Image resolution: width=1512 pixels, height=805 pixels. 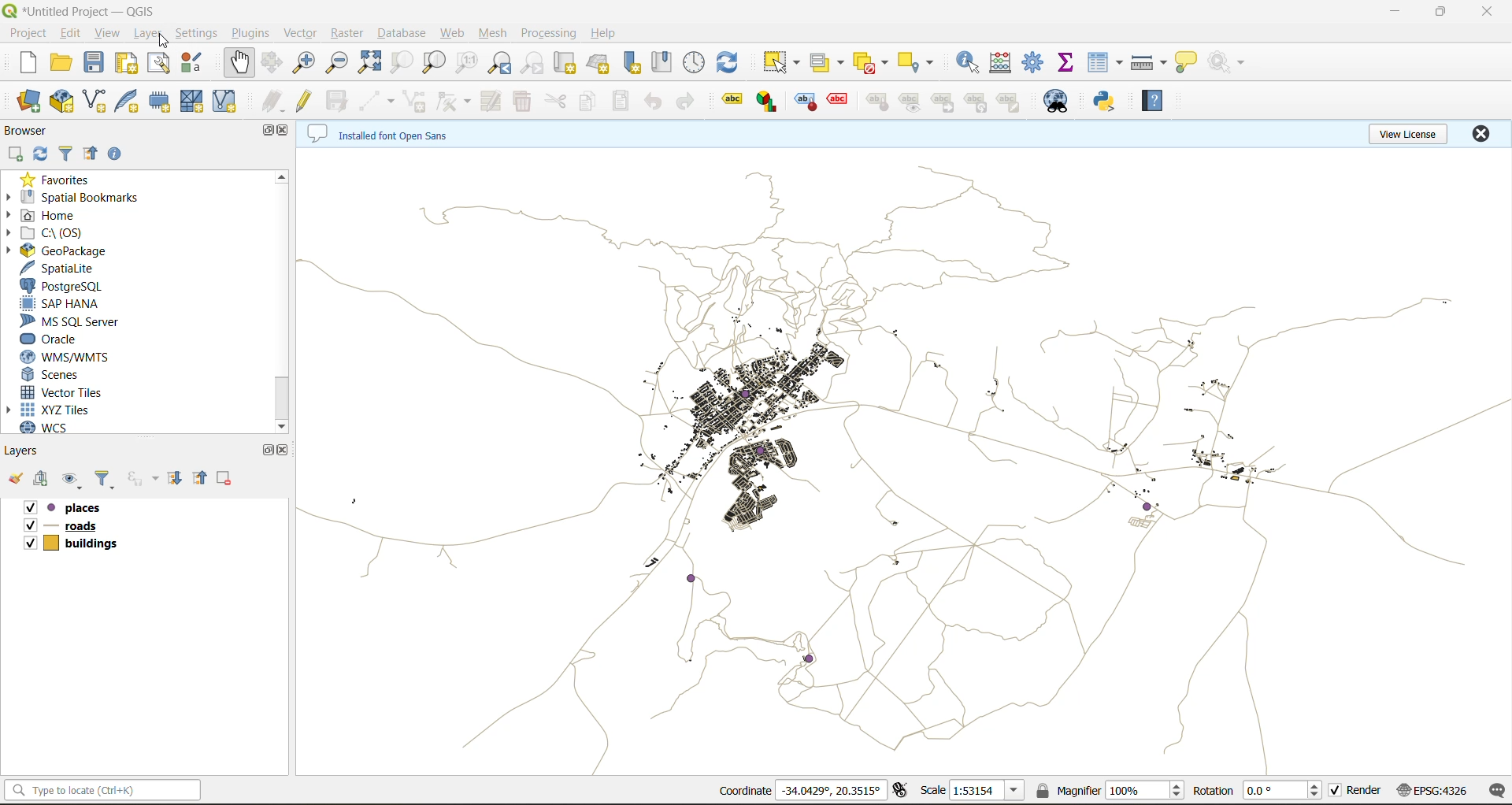 I want to click on new spatial  bookmark , so click(x=636, y=65).